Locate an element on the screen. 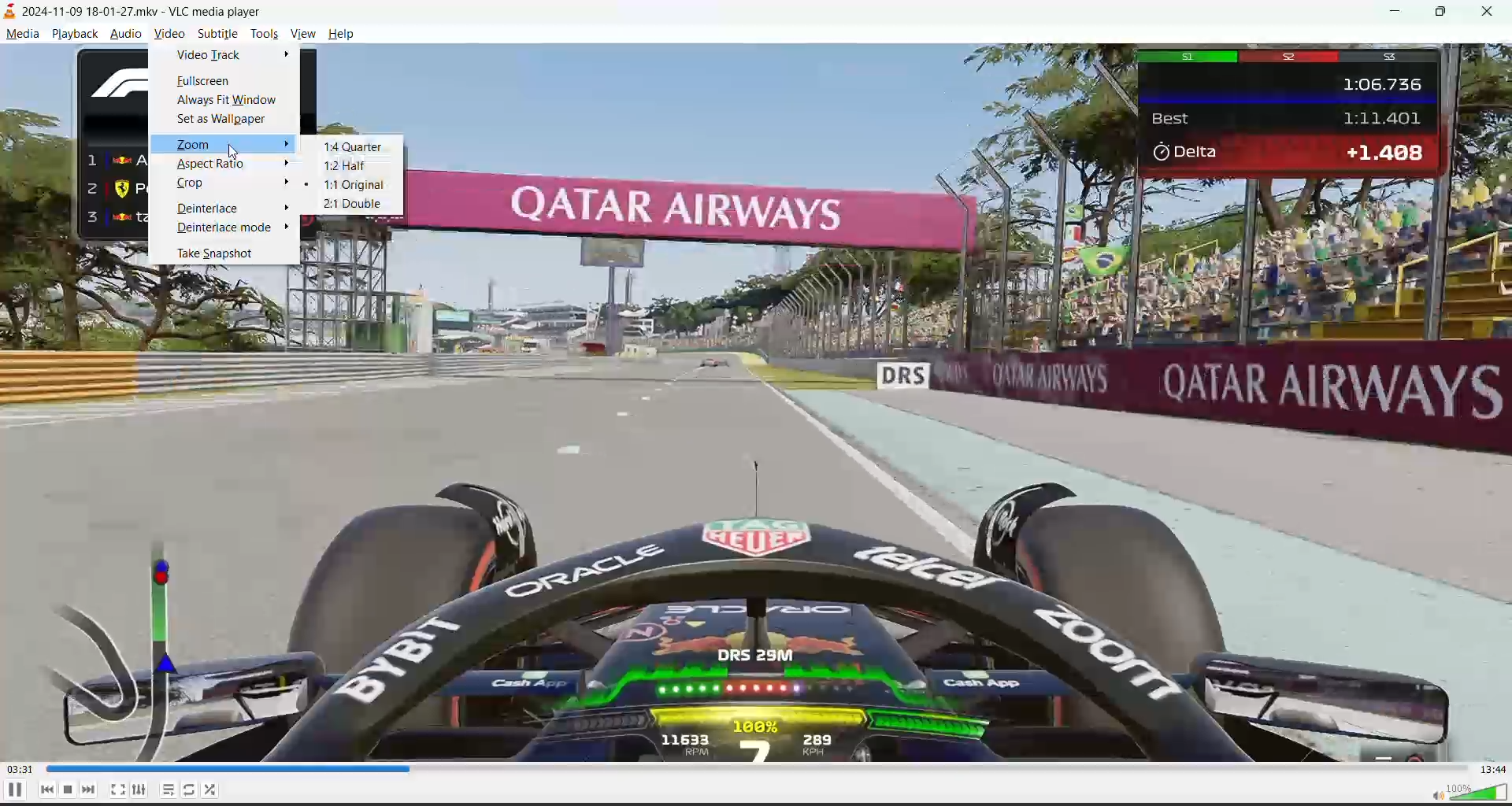 The image size is (1512, 806). always fit window is located at coordinates (222, 101).